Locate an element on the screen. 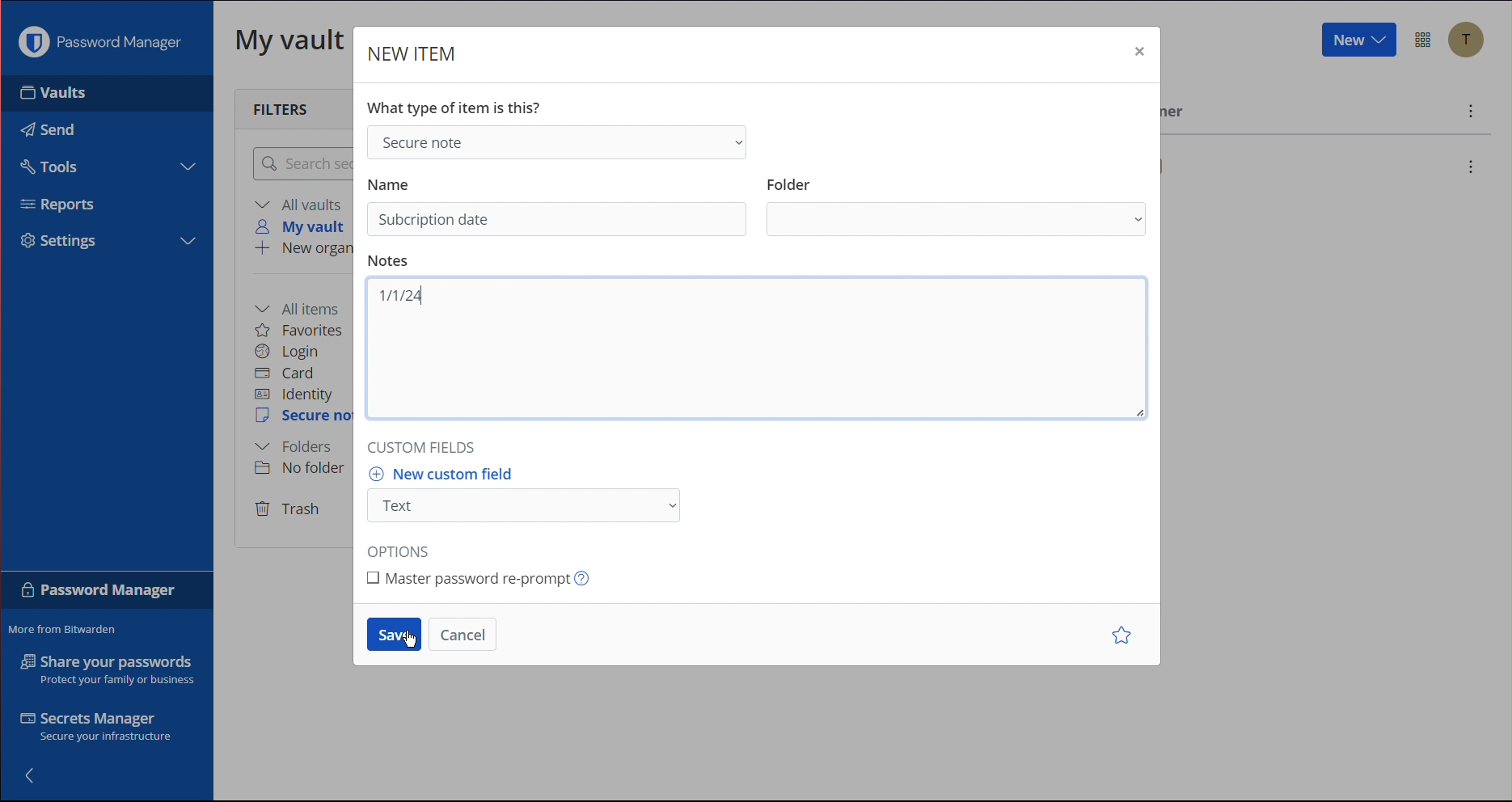  Subscription date is located at coordinates (435, 220).